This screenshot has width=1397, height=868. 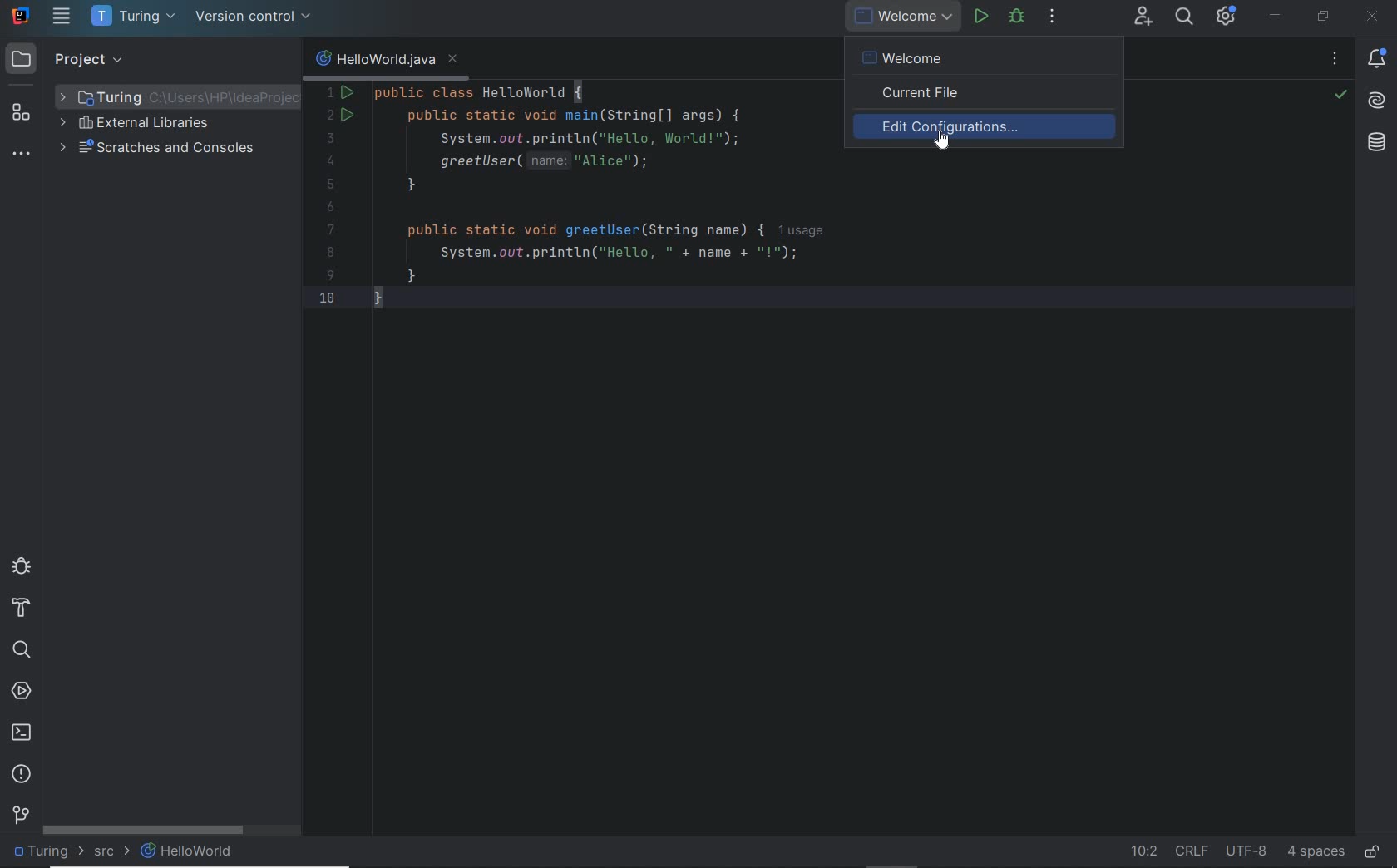 What do you see at coordinates (572, 198) in the screenshot?
I see `codes` at bounding box center [572, 198].